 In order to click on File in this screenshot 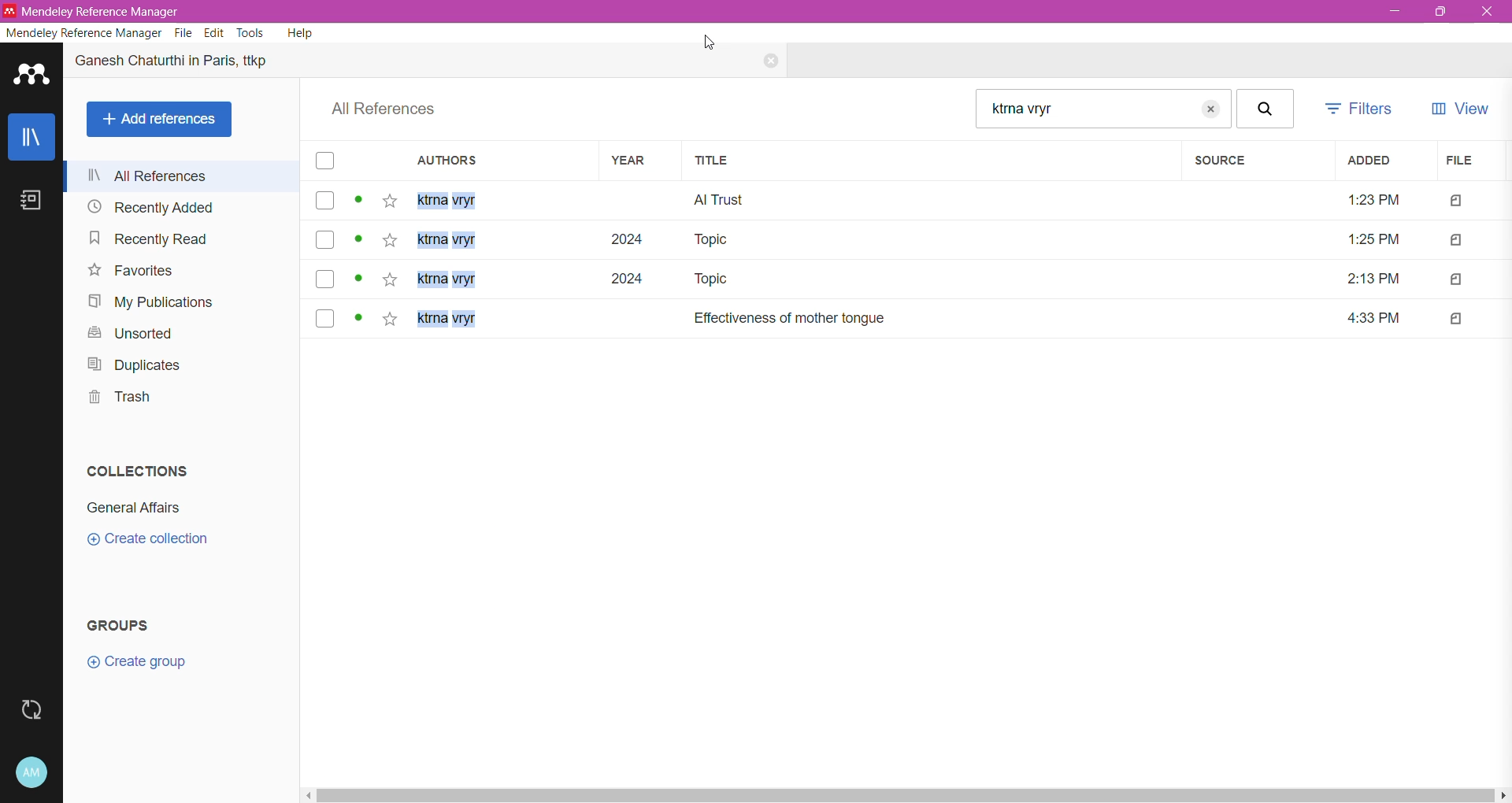, I will do `click(183, 33)`.